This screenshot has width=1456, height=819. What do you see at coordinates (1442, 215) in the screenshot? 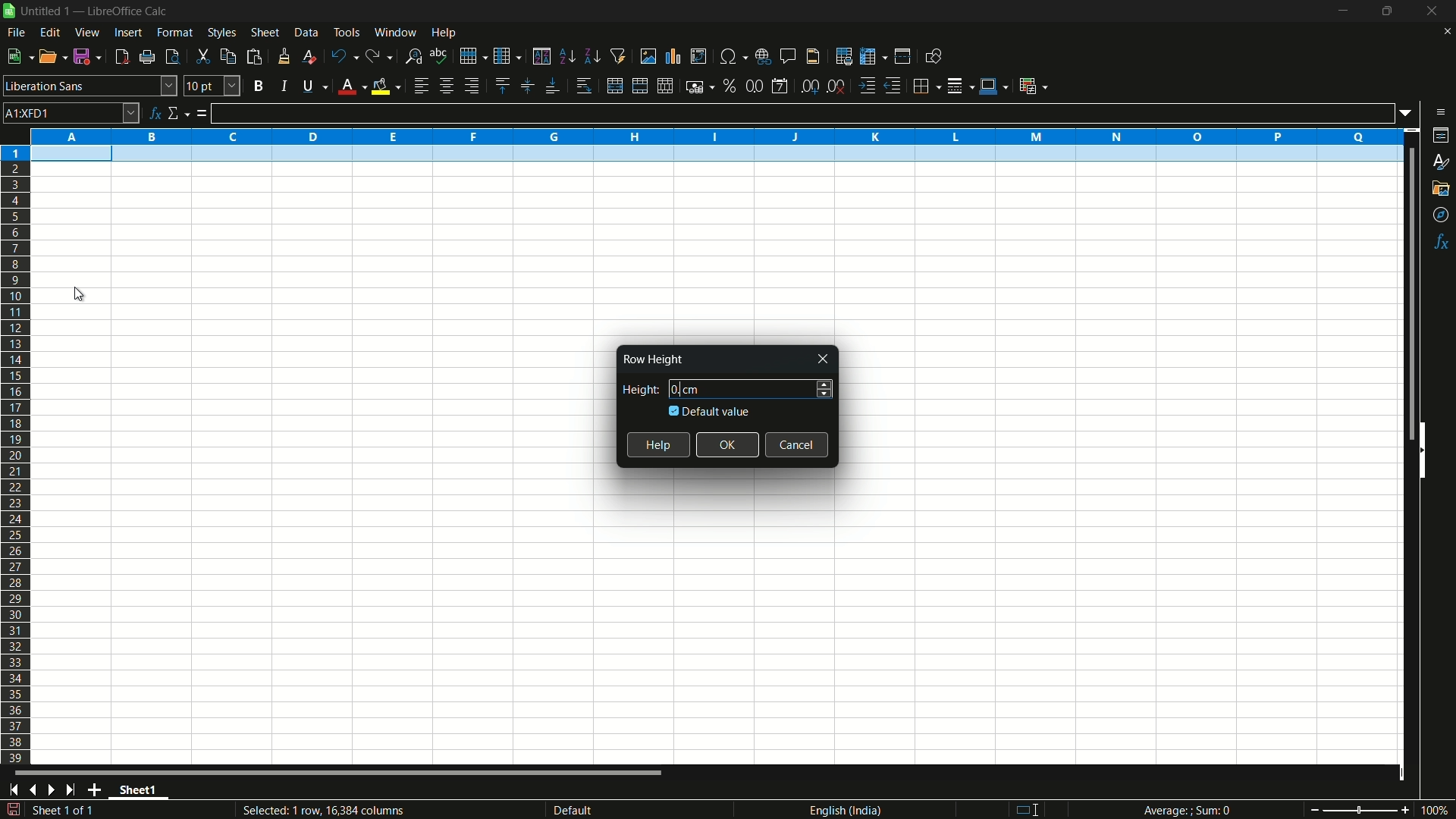
I see `navigator` at bounding box center [1442, 215].